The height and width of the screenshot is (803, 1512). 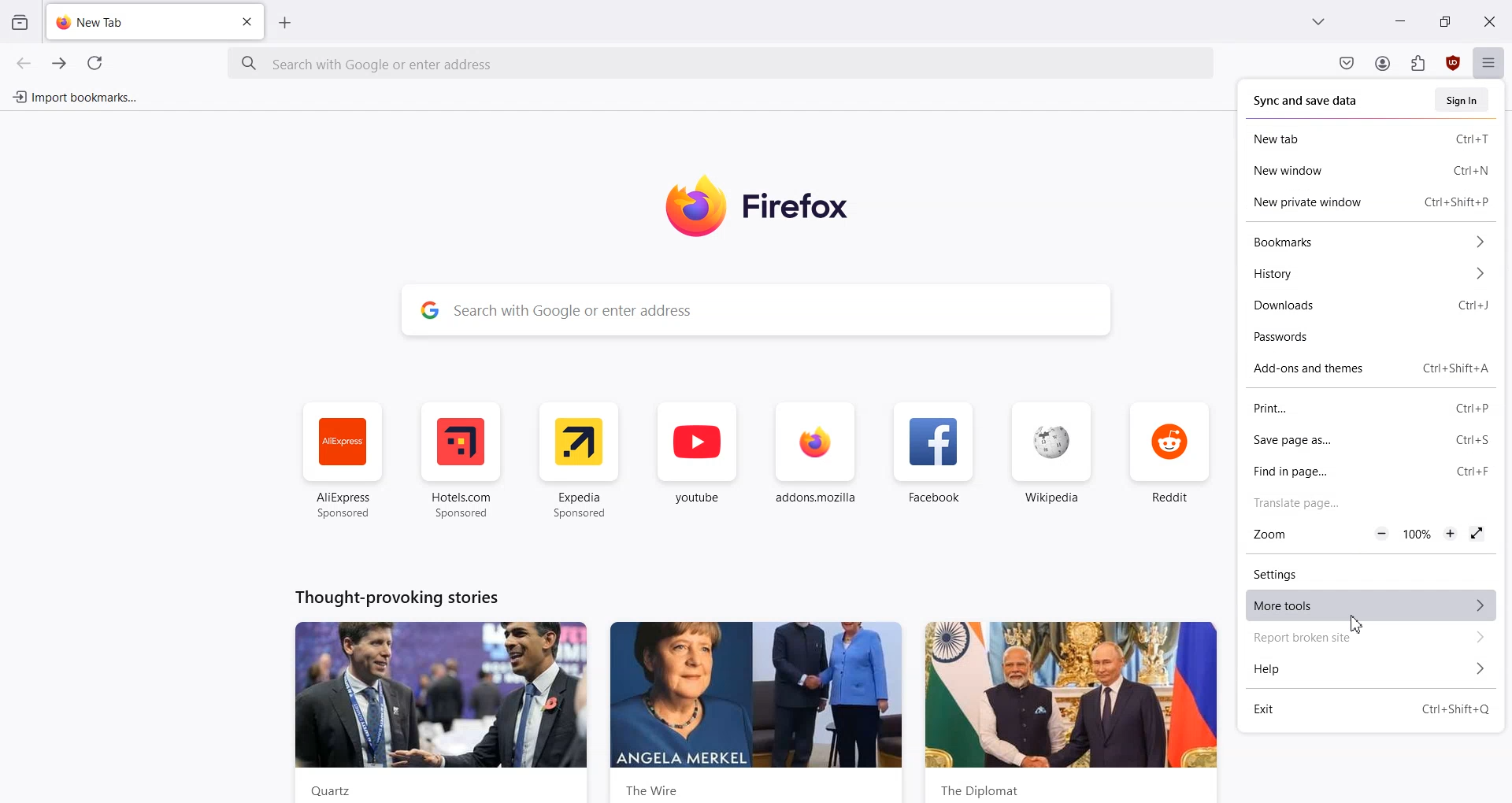 I want to click on Sync and save data, so click(x=1309, y=100).